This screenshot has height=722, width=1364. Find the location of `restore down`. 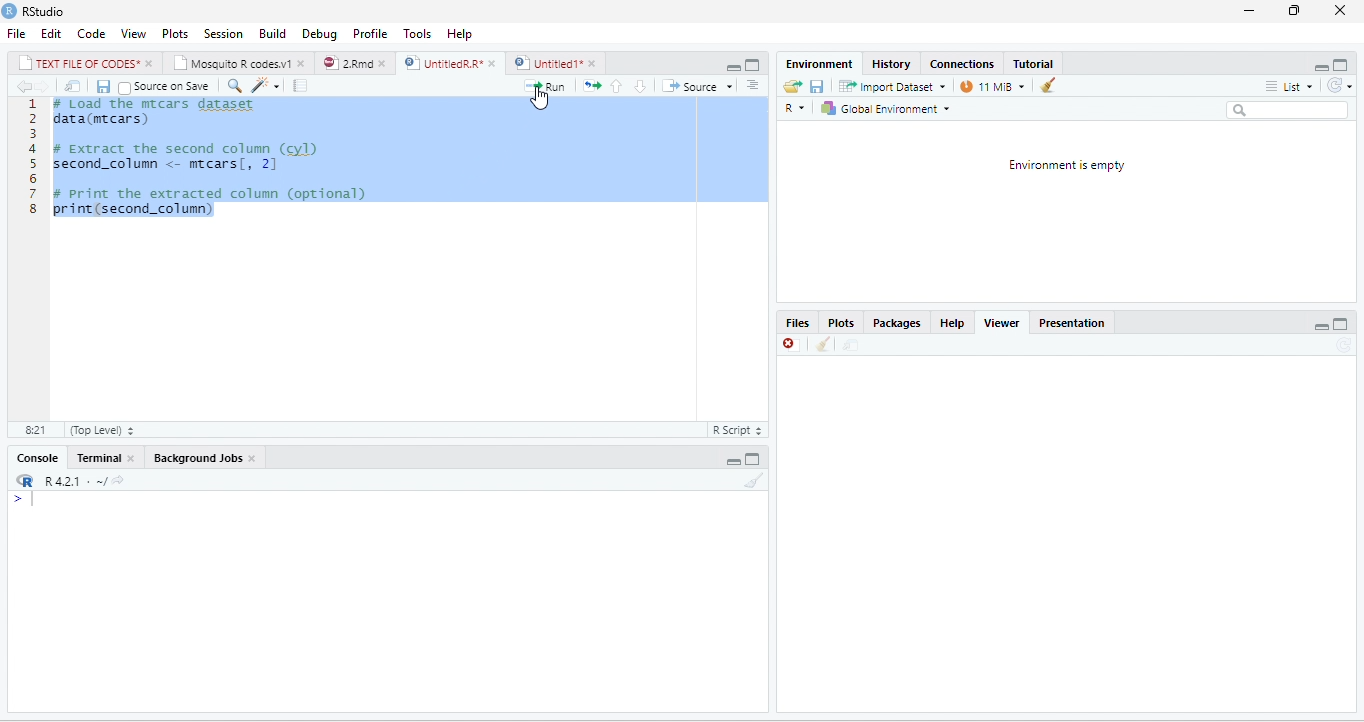

restore down is located at coordinates (1292, 12).